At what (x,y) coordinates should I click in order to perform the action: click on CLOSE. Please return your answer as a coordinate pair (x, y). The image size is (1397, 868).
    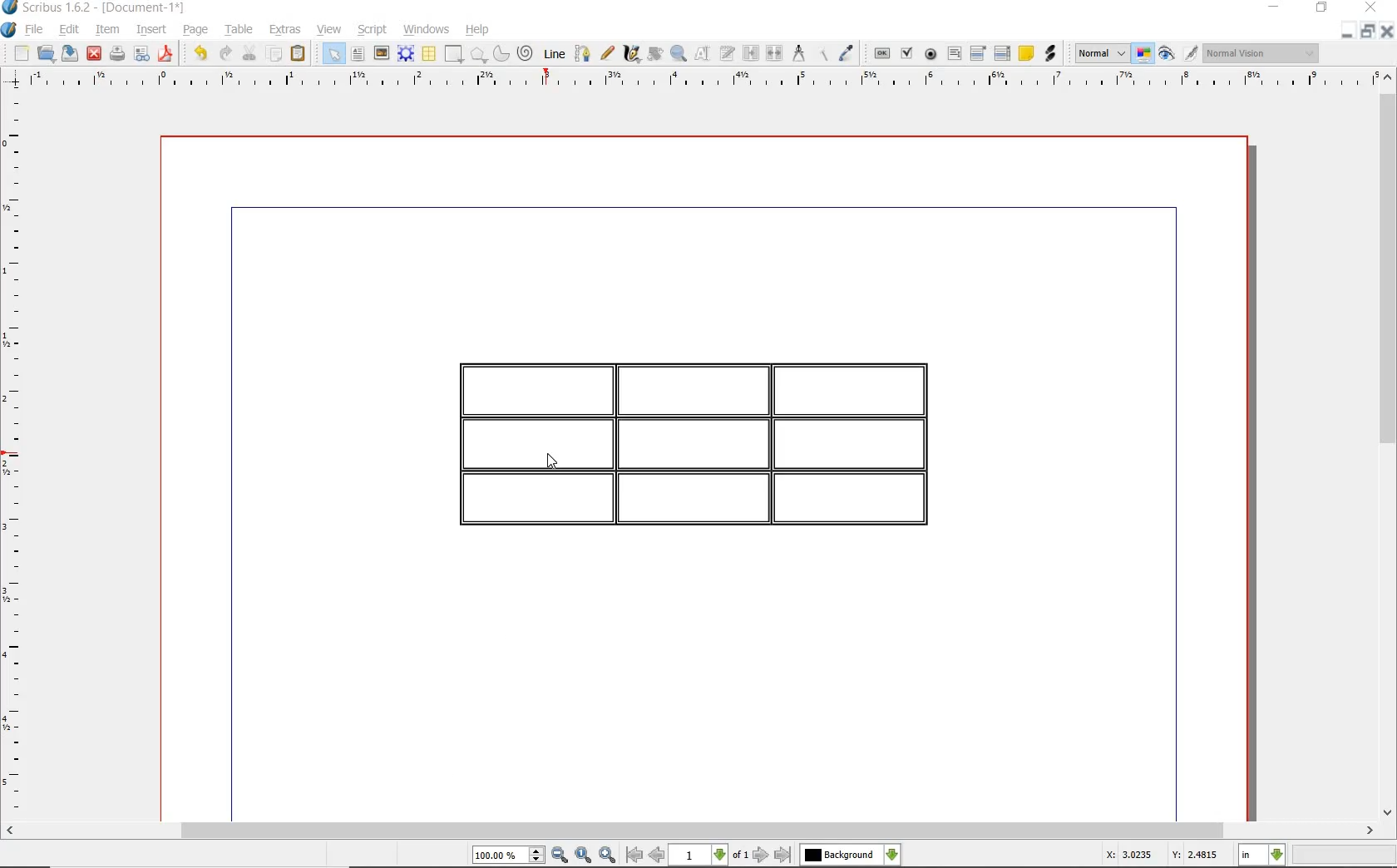
    Looking at the image, I should click on (1379, 7).